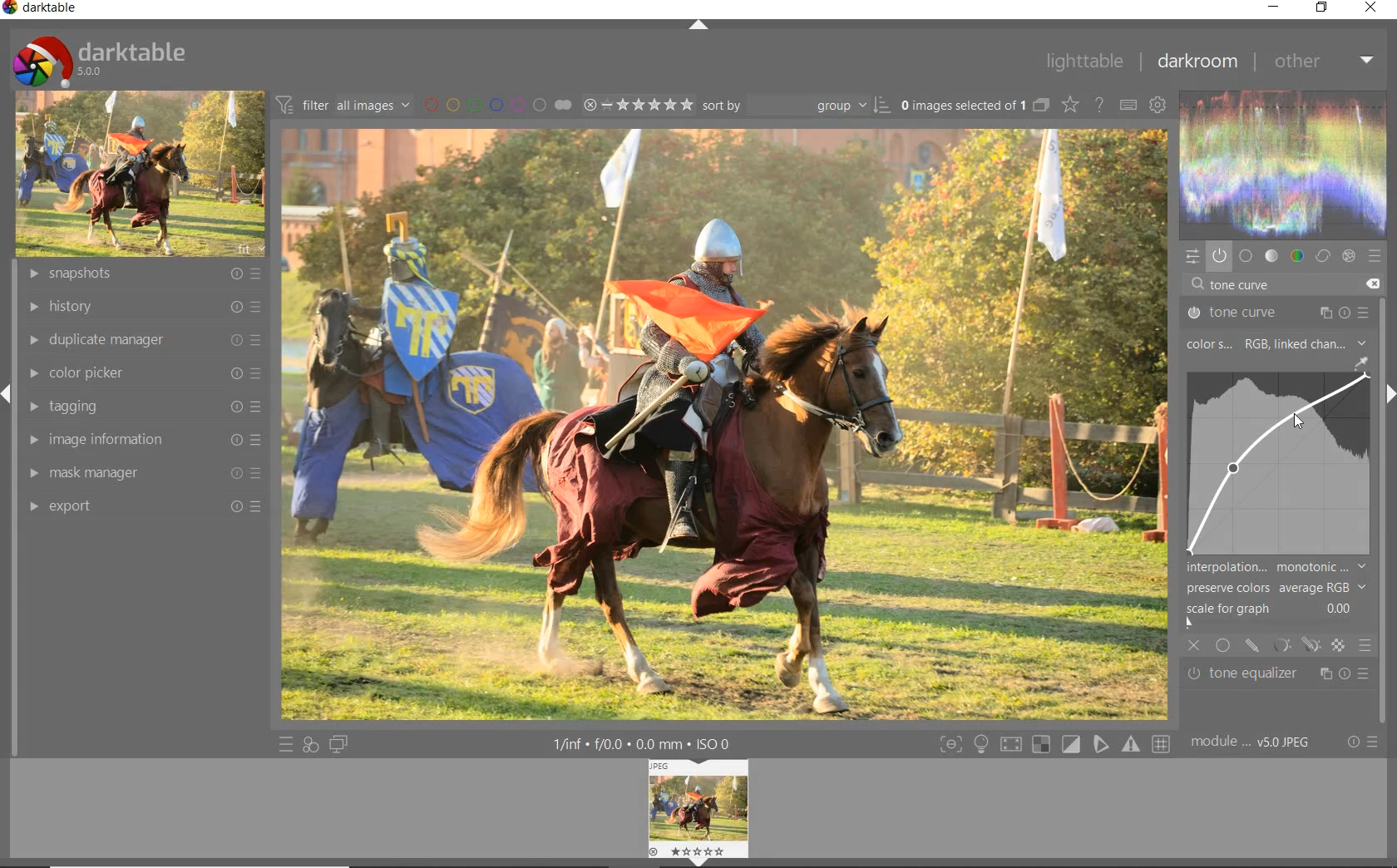  What do you see at coordinates (141, 475) in the screenshot?
I see `mask manager` at bounding box center [141, 475].